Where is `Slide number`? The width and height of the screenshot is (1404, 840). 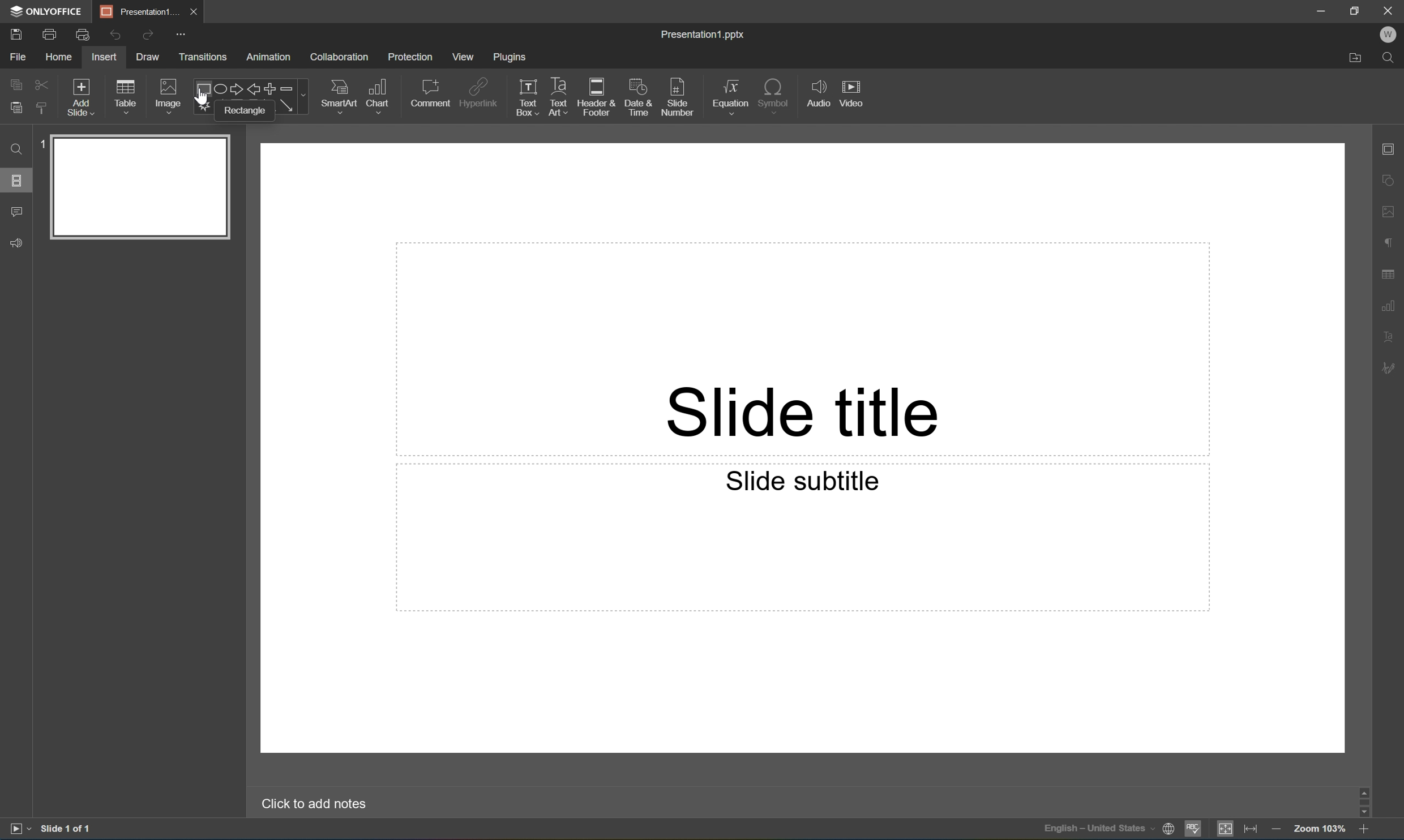
Slide number is located at coordinates (678, 93).